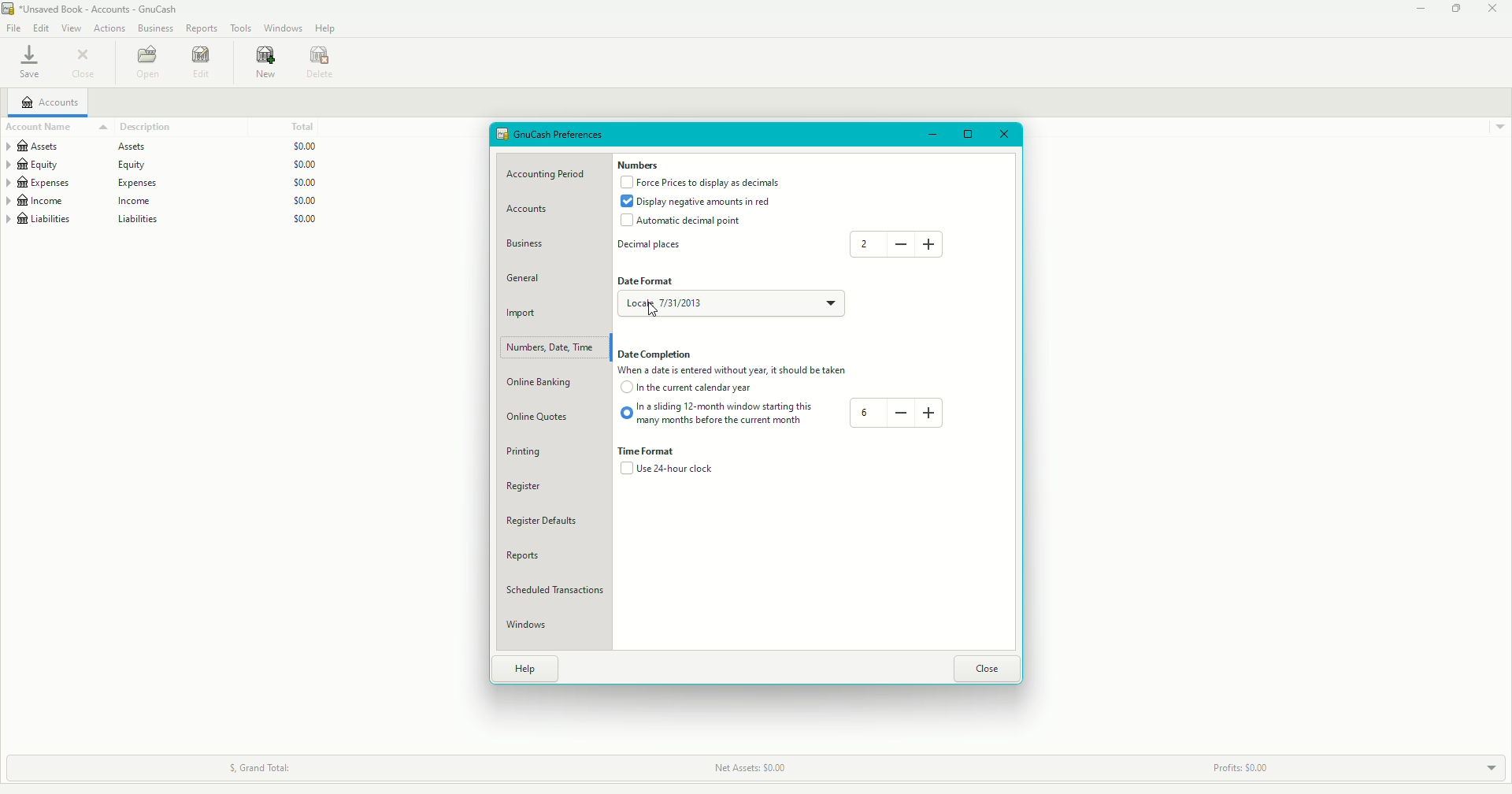  Describe the element at coordinates (638, 165) in the screenshot. I see `Numbers` at that location.